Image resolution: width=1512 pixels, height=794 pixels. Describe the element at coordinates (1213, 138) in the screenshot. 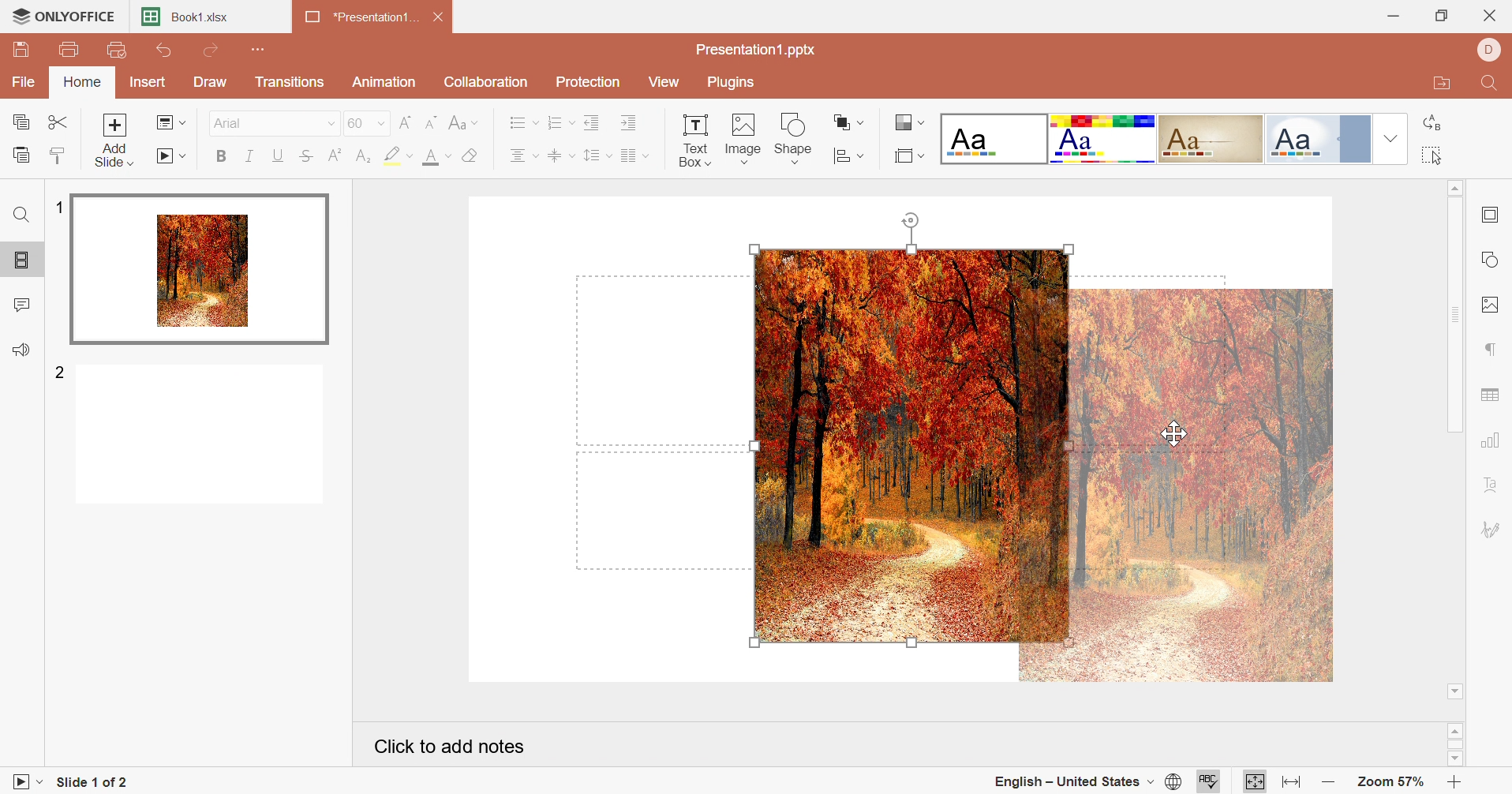

I see `Classic` at that location.